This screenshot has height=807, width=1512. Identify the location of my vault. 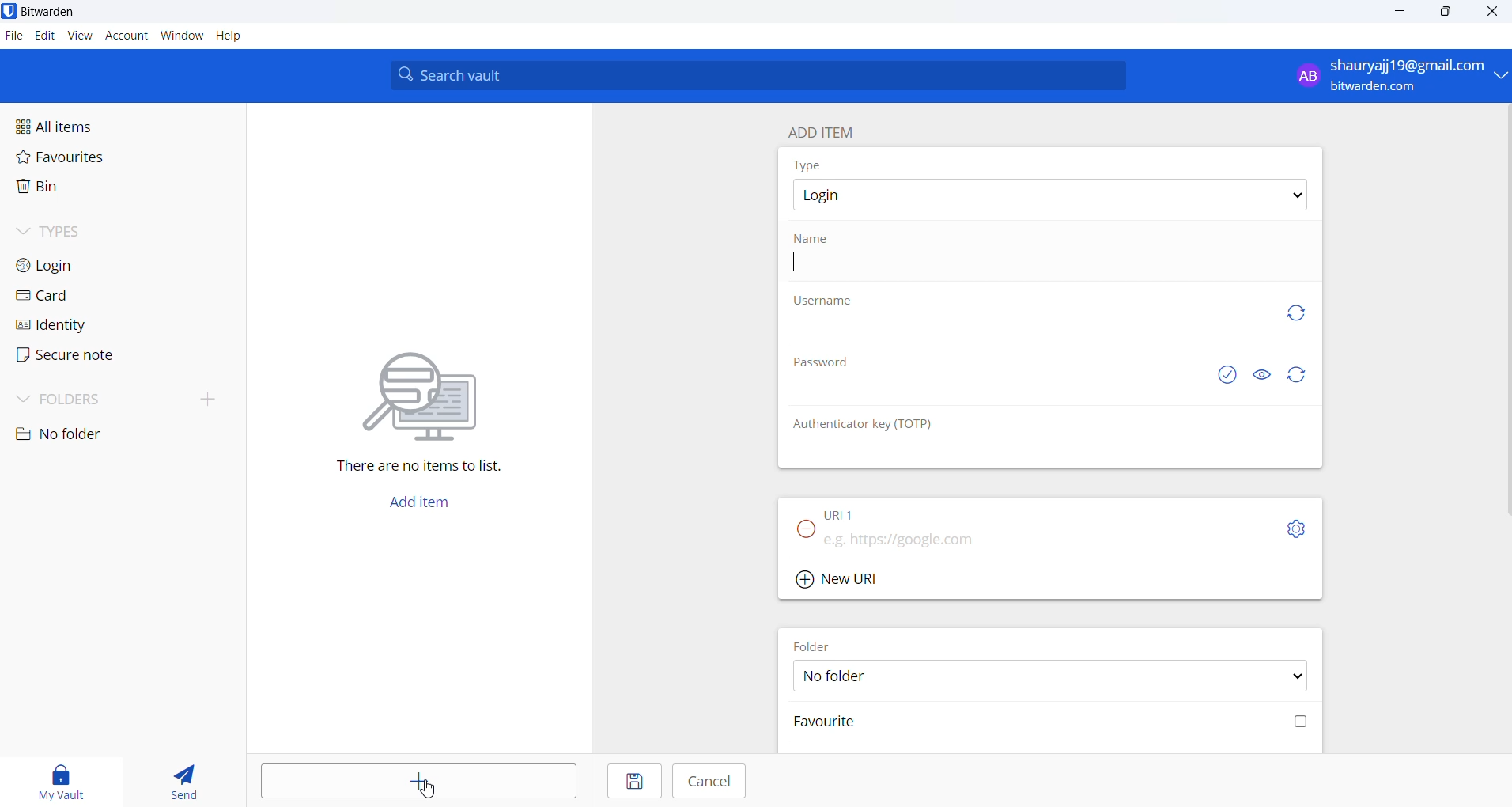
(64, 779).